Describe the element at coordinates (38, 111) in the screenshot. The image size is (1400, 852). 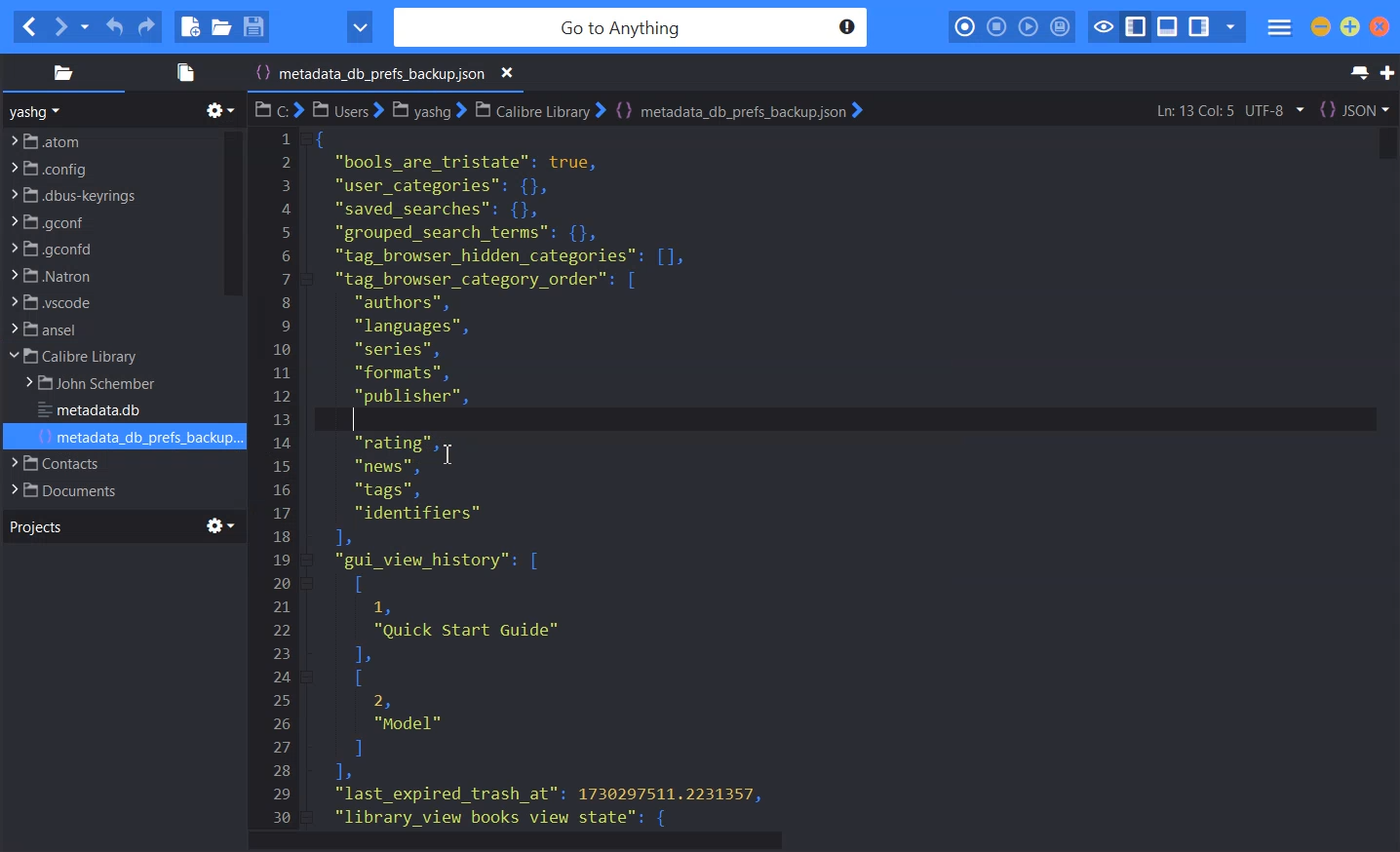
I see `yashg` at that location.